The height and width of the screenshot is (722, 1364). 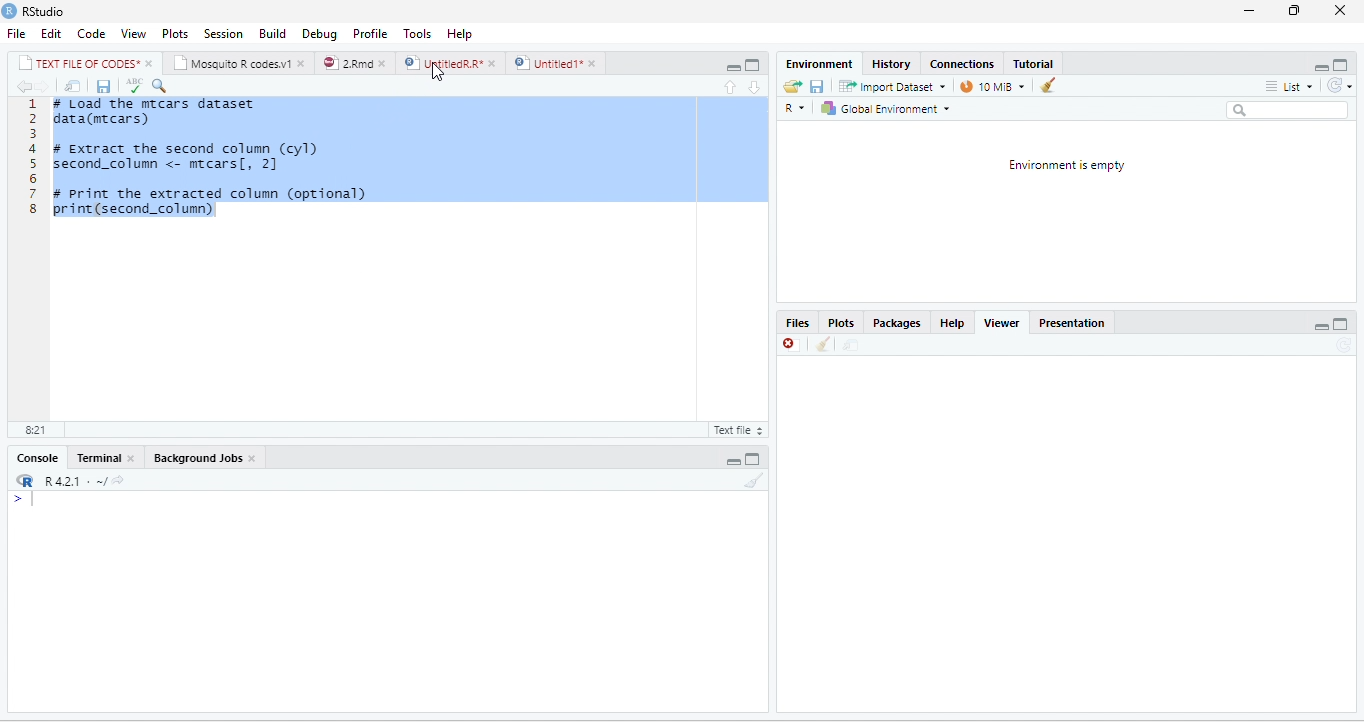 I want to click on Plots, so click(x=175, y=32).